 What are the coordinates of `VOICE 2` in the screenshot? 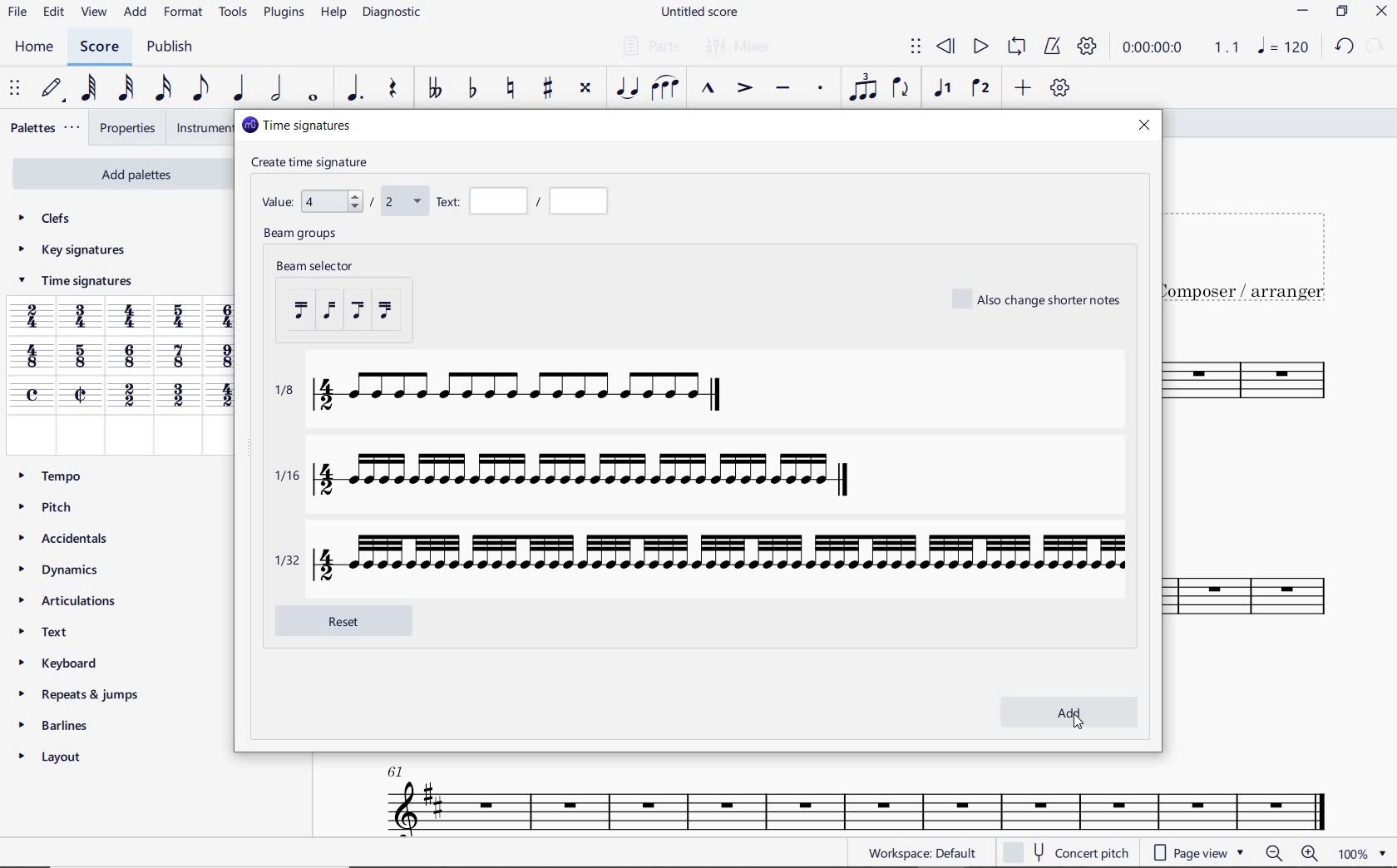 It's located at (980, 89).